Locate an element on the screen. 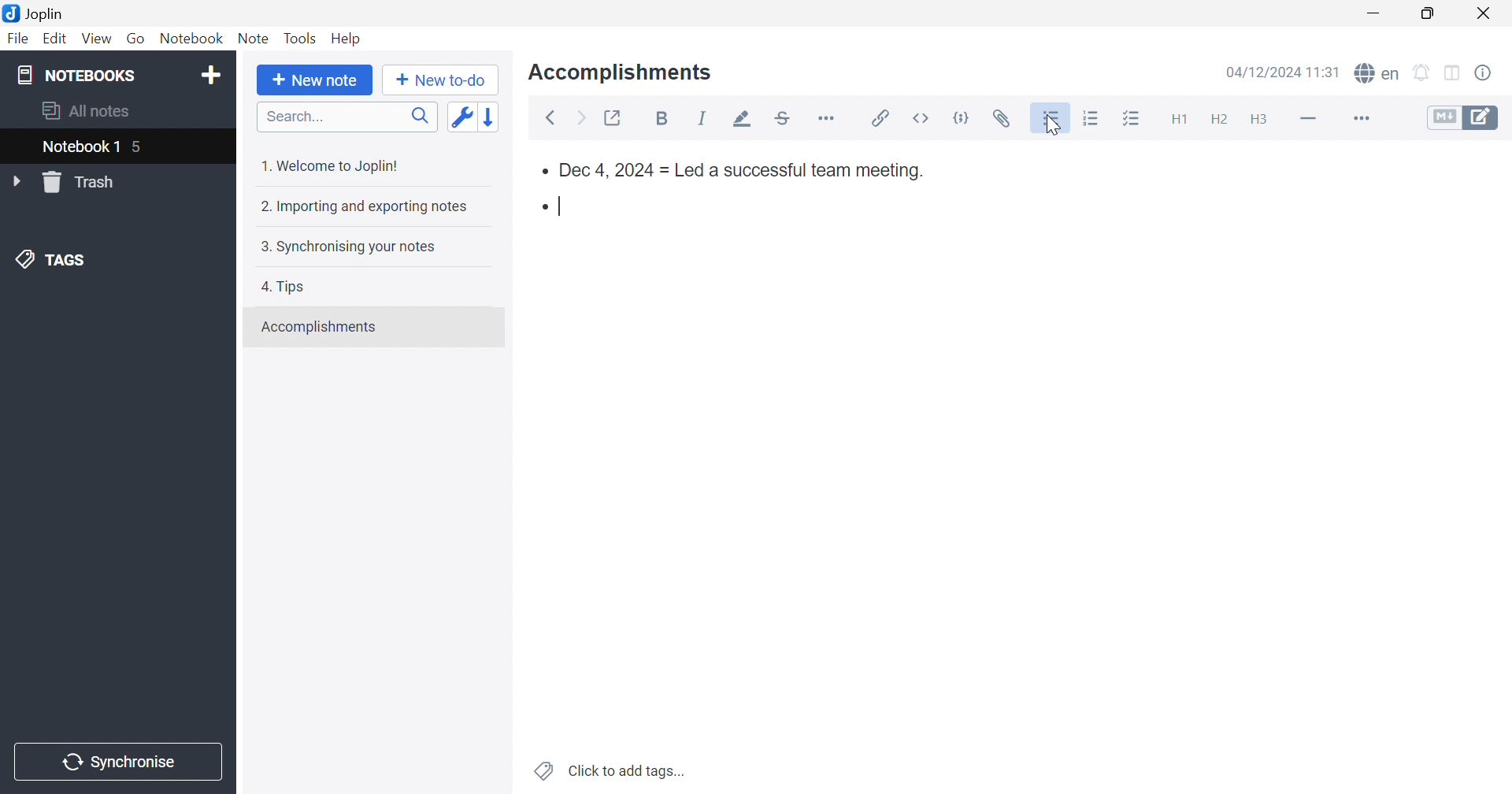 The width and height of the screenshot is (1512, 794). Trash is located at coordinates (83, 182).